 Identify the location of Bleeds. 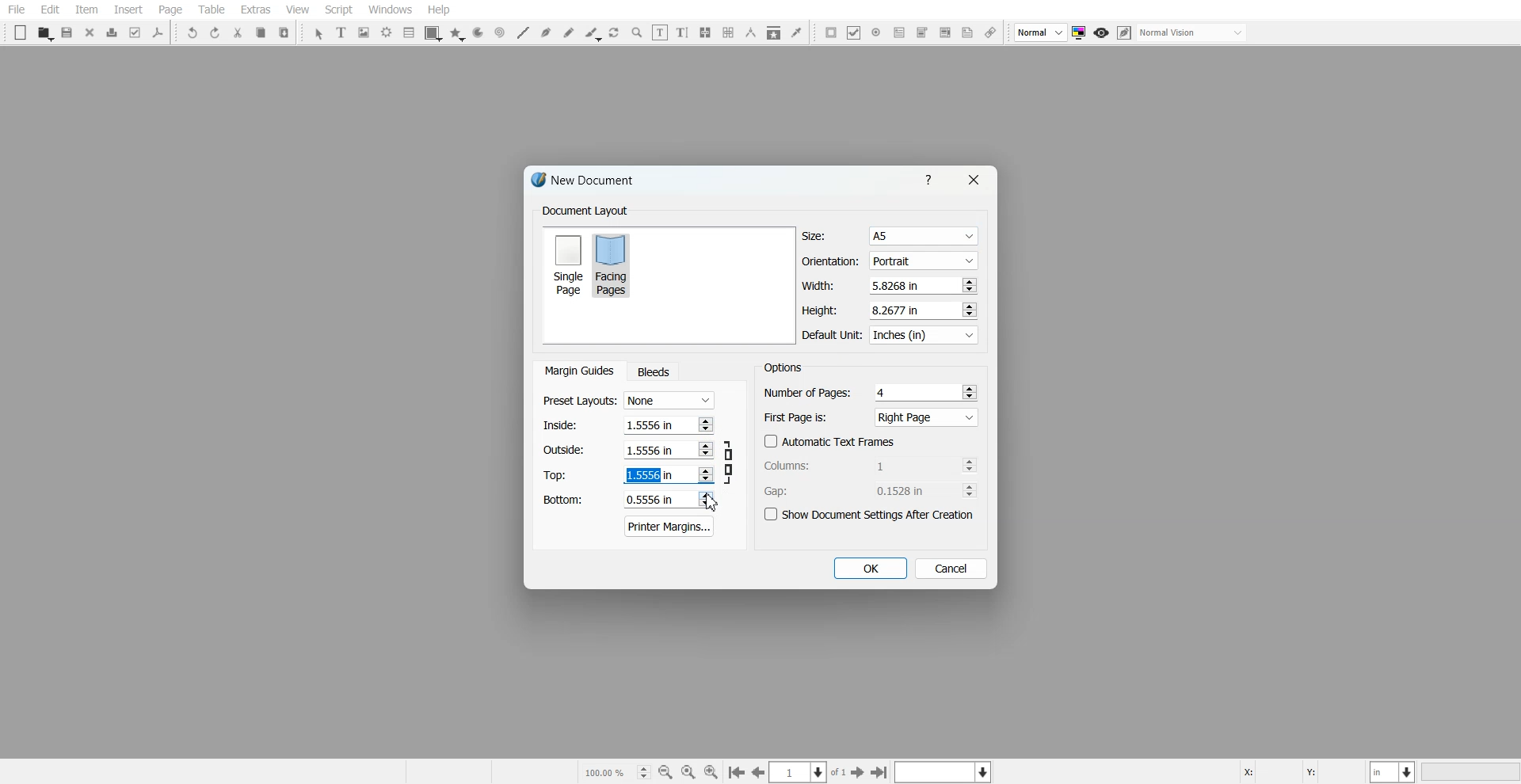
(653, 371).